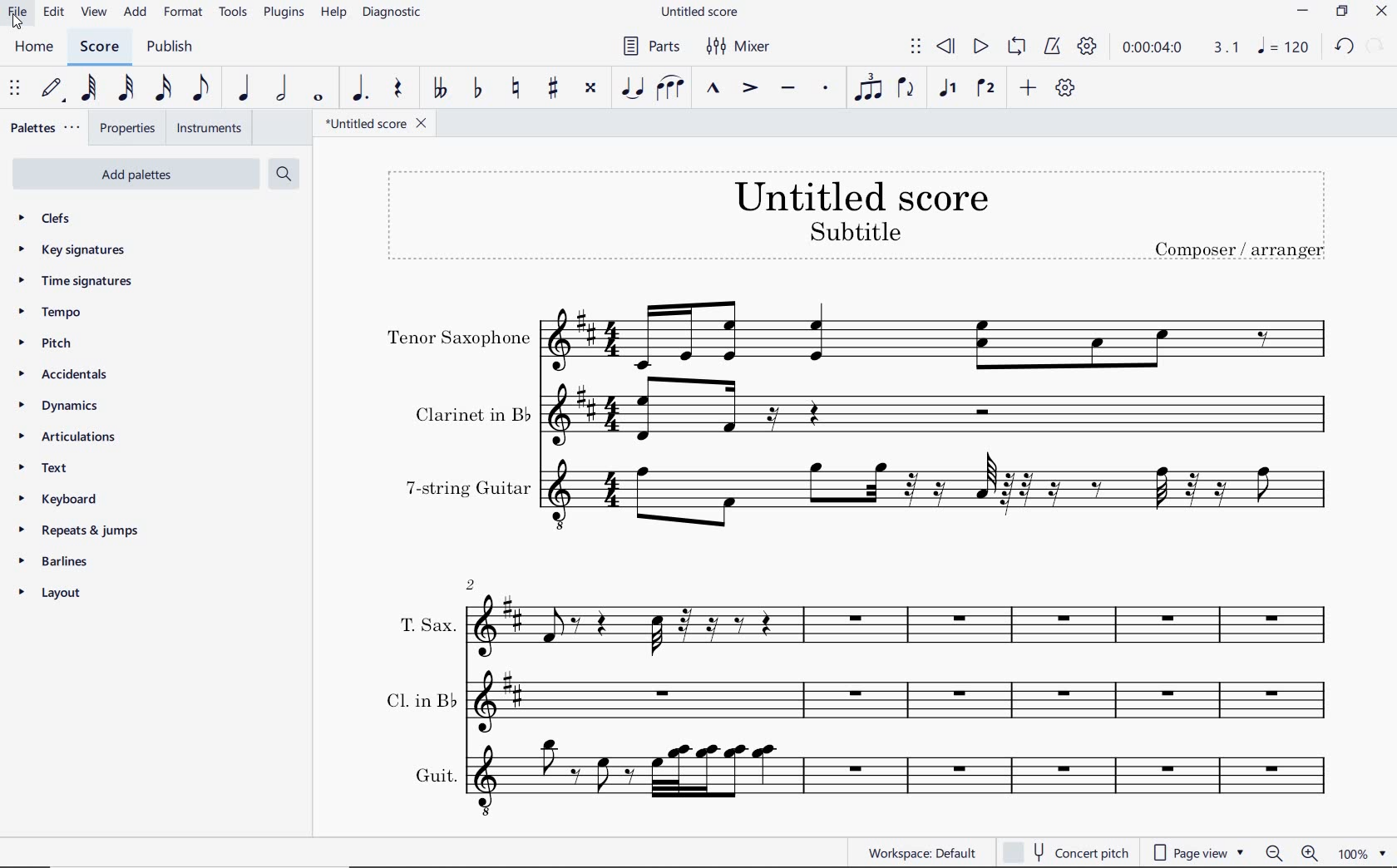 This screenshot has width=1397, height=868. What do you see at coordinates (392, 13) in the screenshot?
I see `DIAGNOSTIC` at bounding box center [392, 13].